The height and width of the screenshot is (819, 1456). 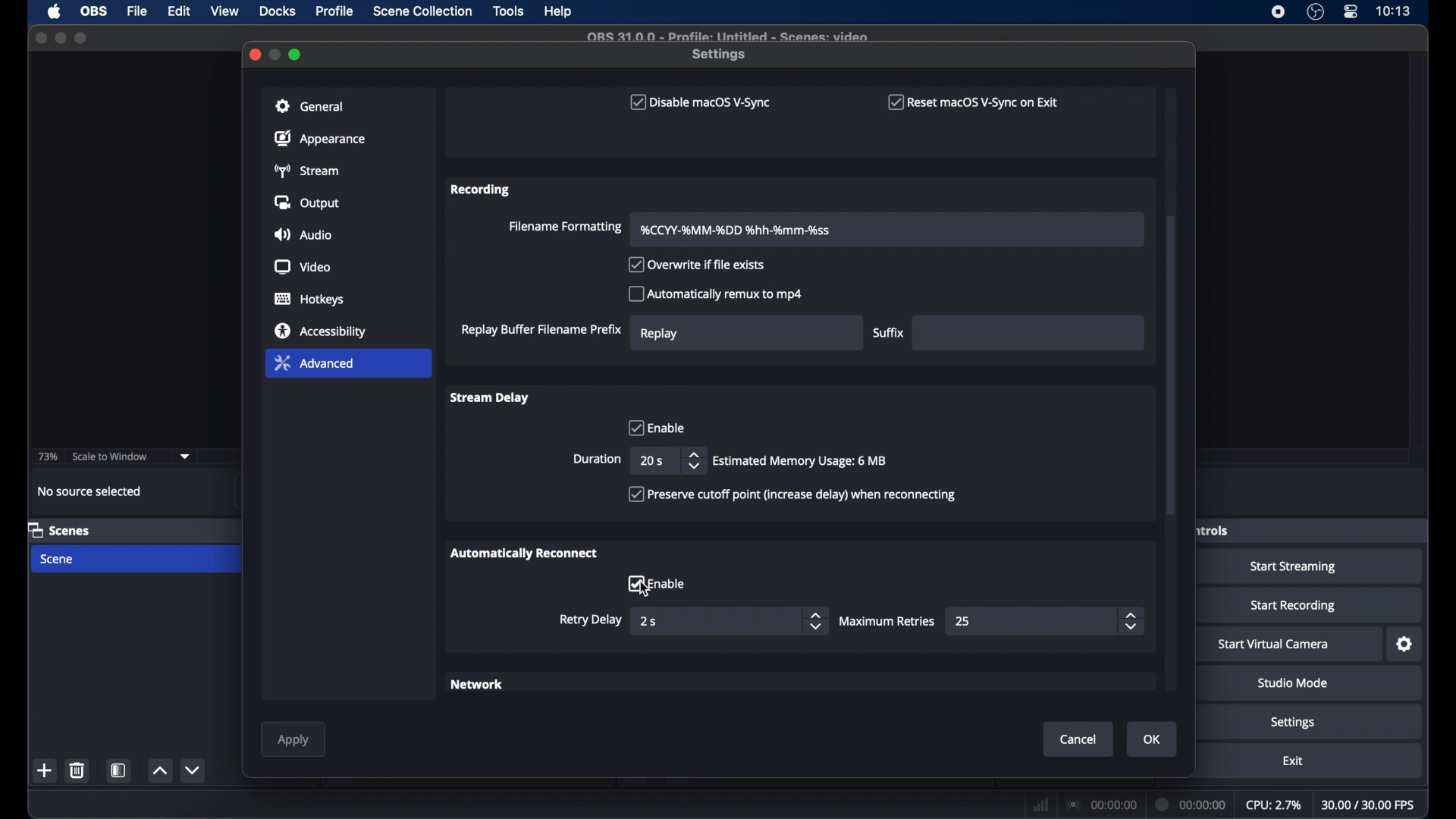 What do you see at coordinates (303, 268) in the screenshot?
I see `video` at bounding box center [303, 268].